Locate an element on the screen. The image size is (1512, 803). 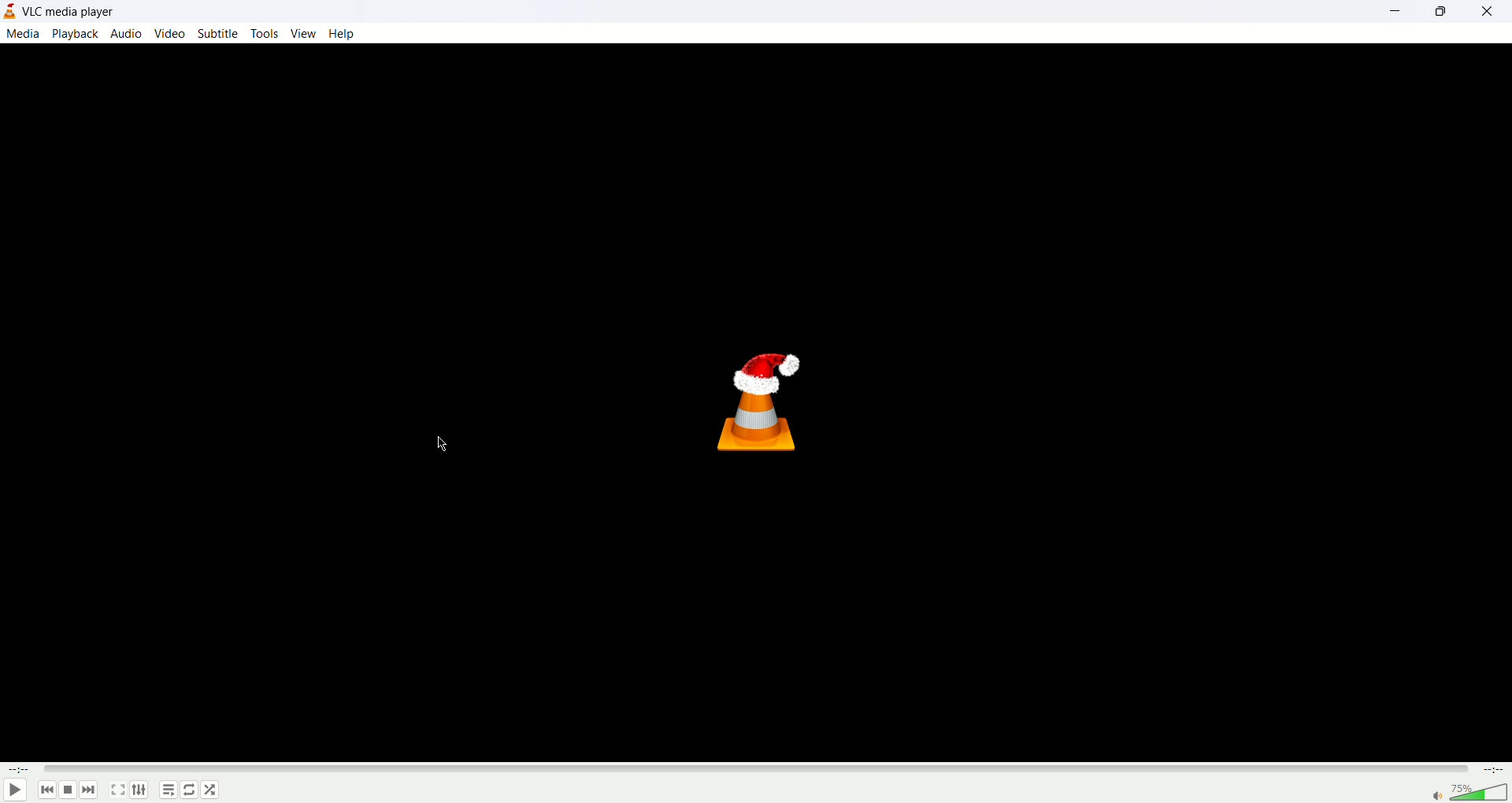
close is located at coordinates (1492, 11).